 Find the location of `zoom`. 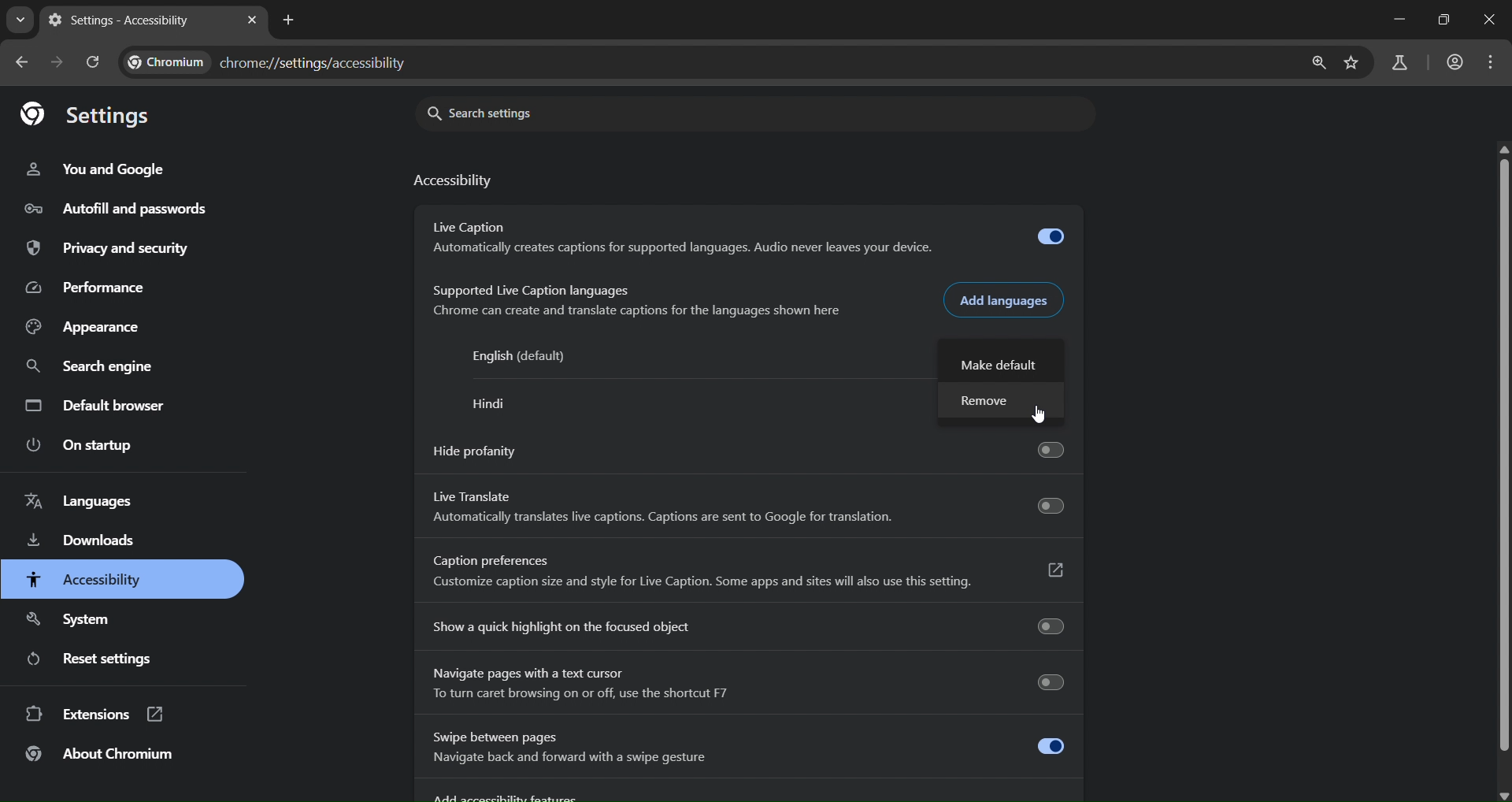

zoom is located at coordinates (1314, 64).